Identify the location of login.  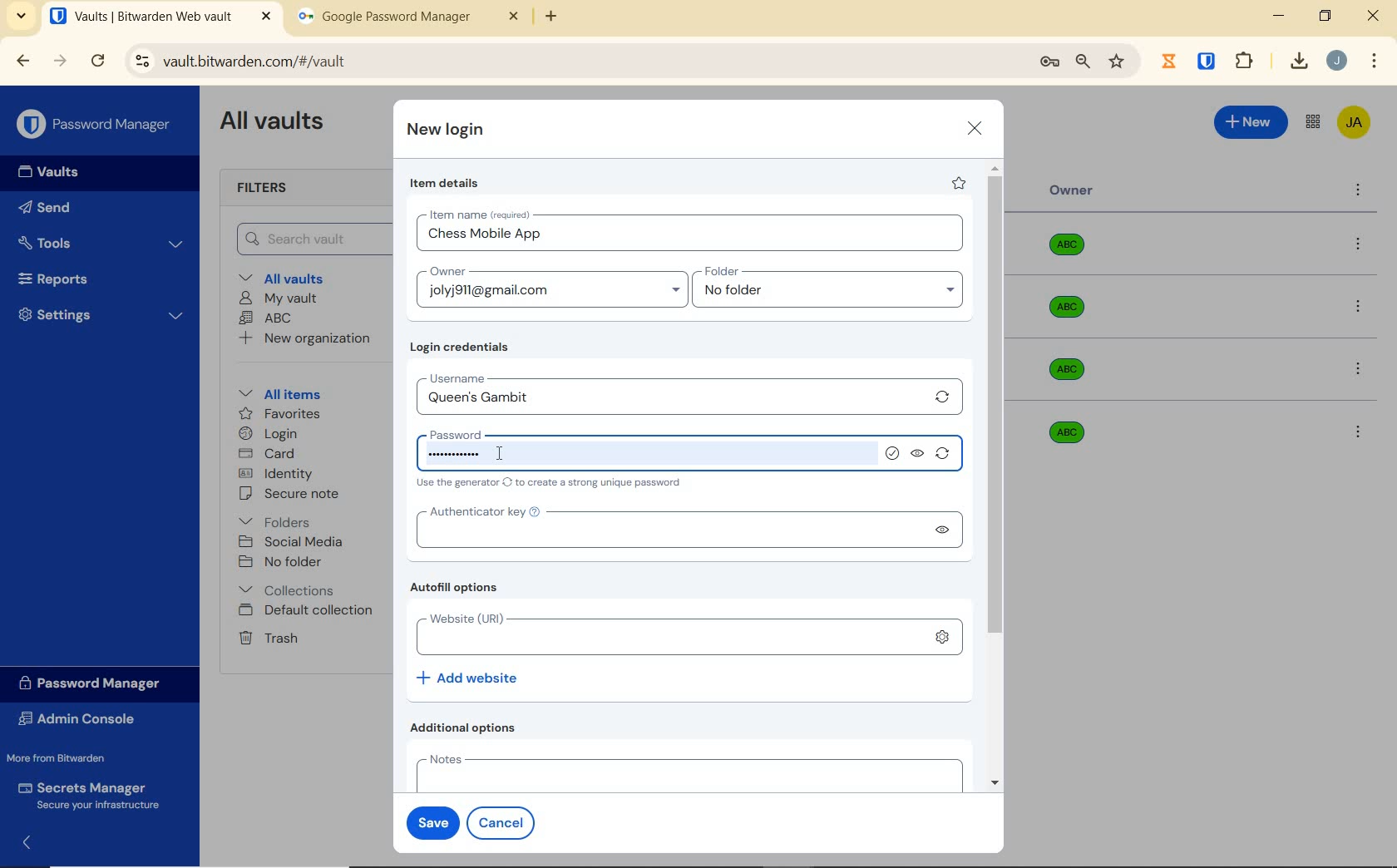
(268, 435).